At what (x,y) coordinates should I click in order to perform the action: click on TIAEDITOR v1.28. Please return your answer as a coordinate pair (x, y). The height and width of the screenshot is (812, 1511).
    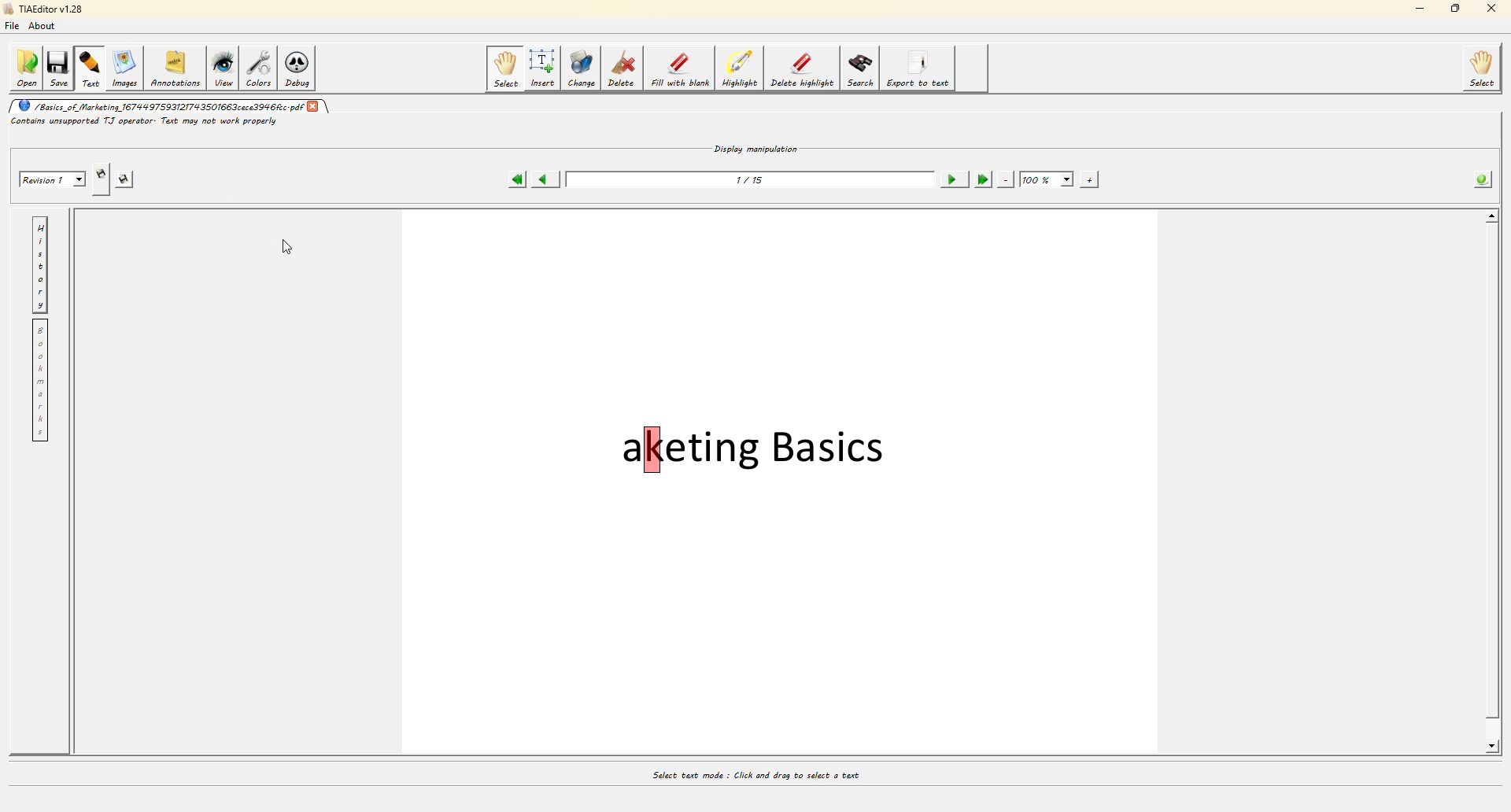
    Looking at the image, I should click on (43, 10).